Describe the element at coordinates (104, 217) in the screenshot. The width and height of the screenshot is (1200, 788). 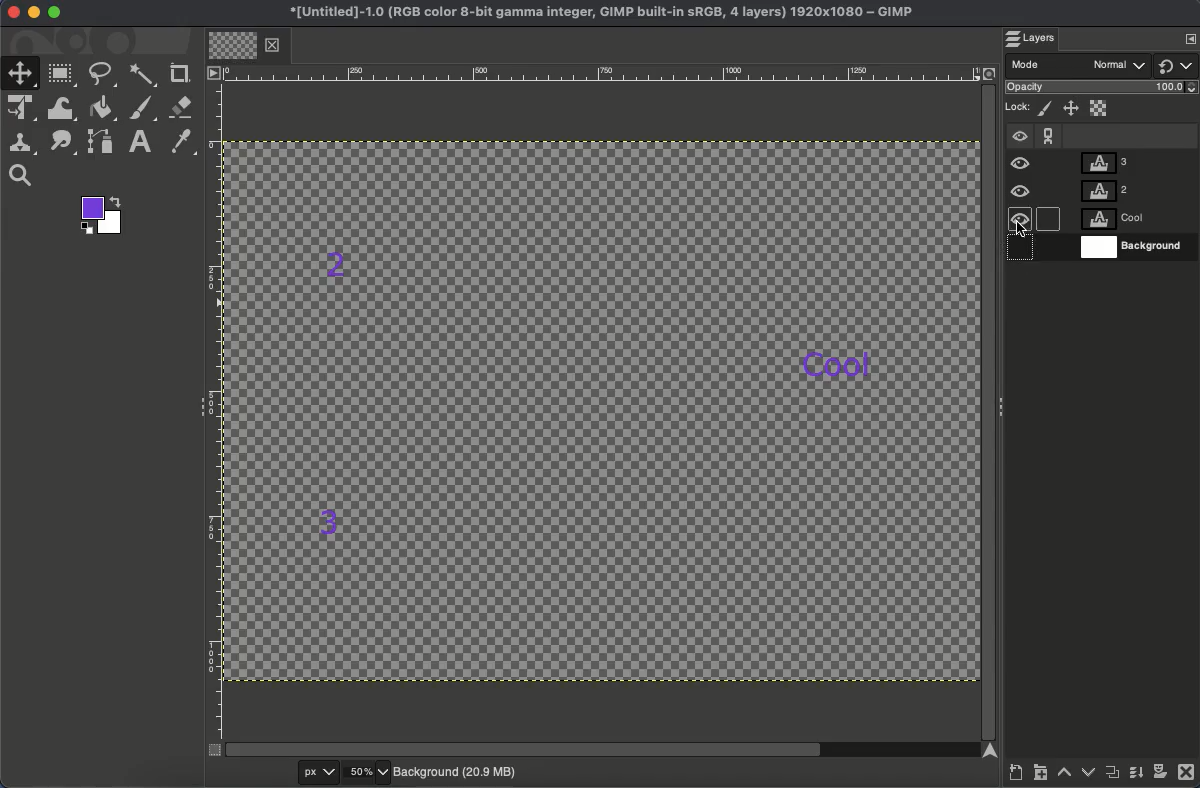
I see `Colors` at that location.